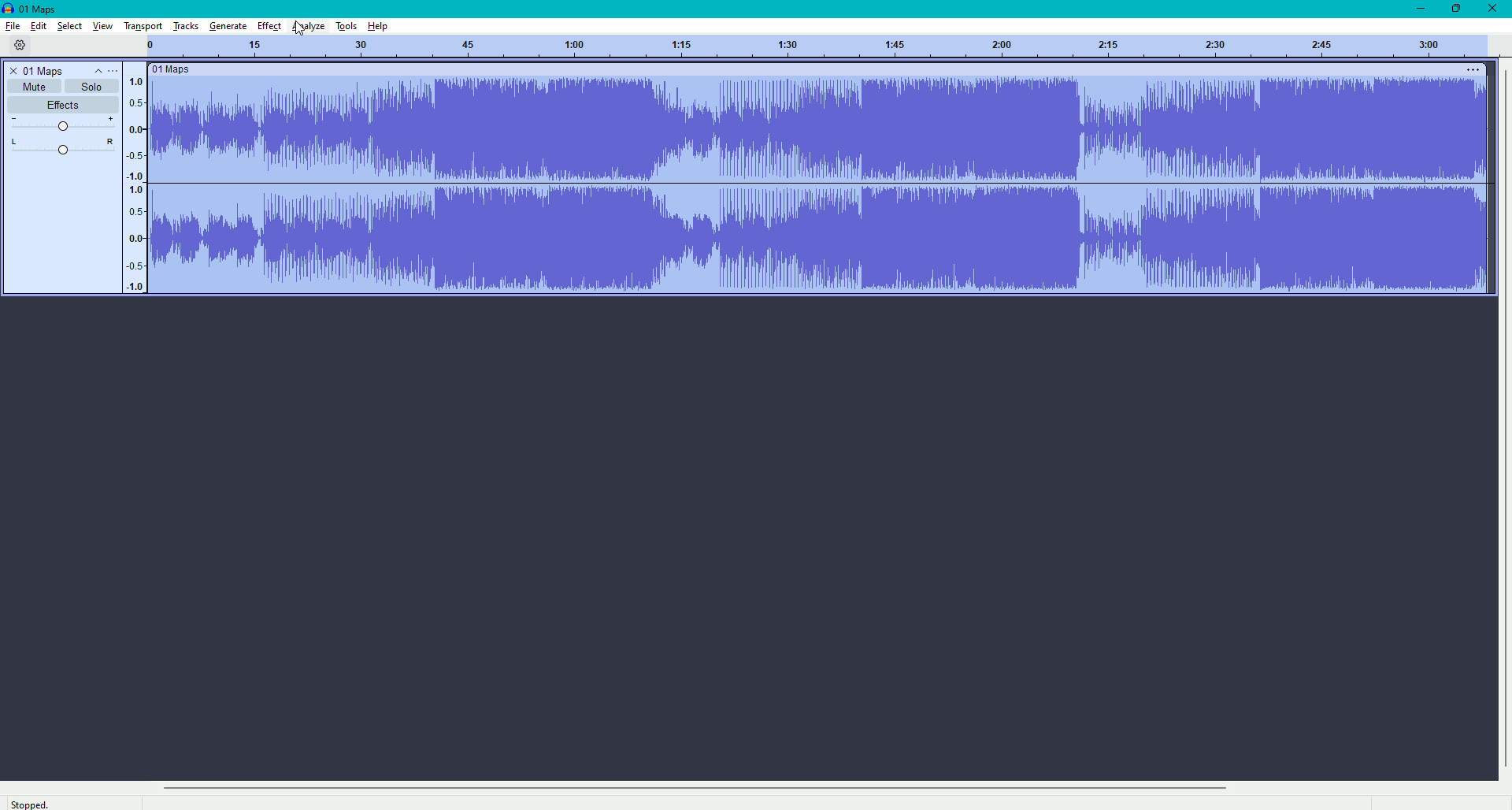  What do you see at coordinates (61, 146) in the screenshot?
I see `L-R Slider` at bounding box center [61, 146].